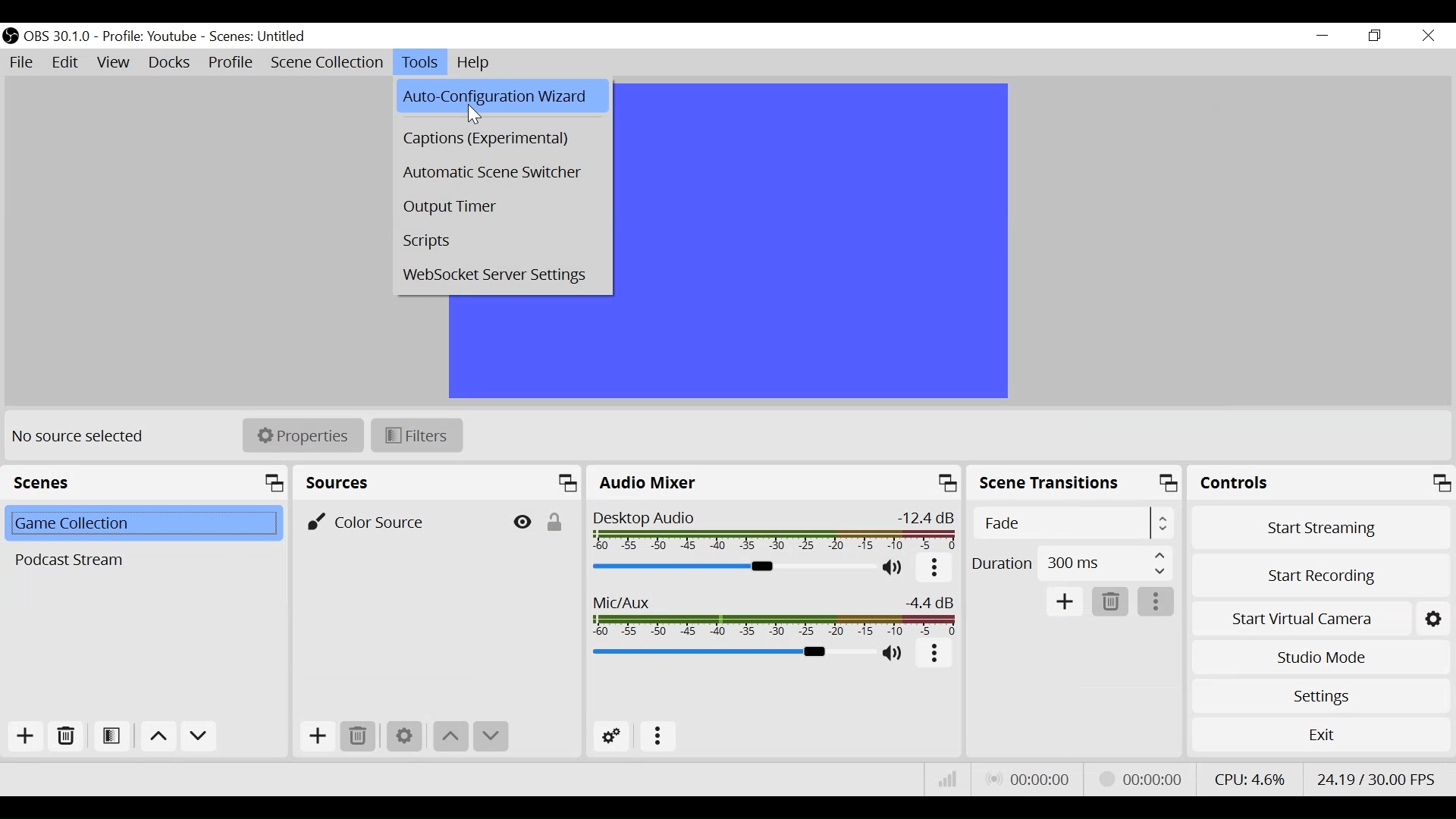  Describe the element at coordinates (498, 244) in the screenshot. I see `Scripts` at that location.